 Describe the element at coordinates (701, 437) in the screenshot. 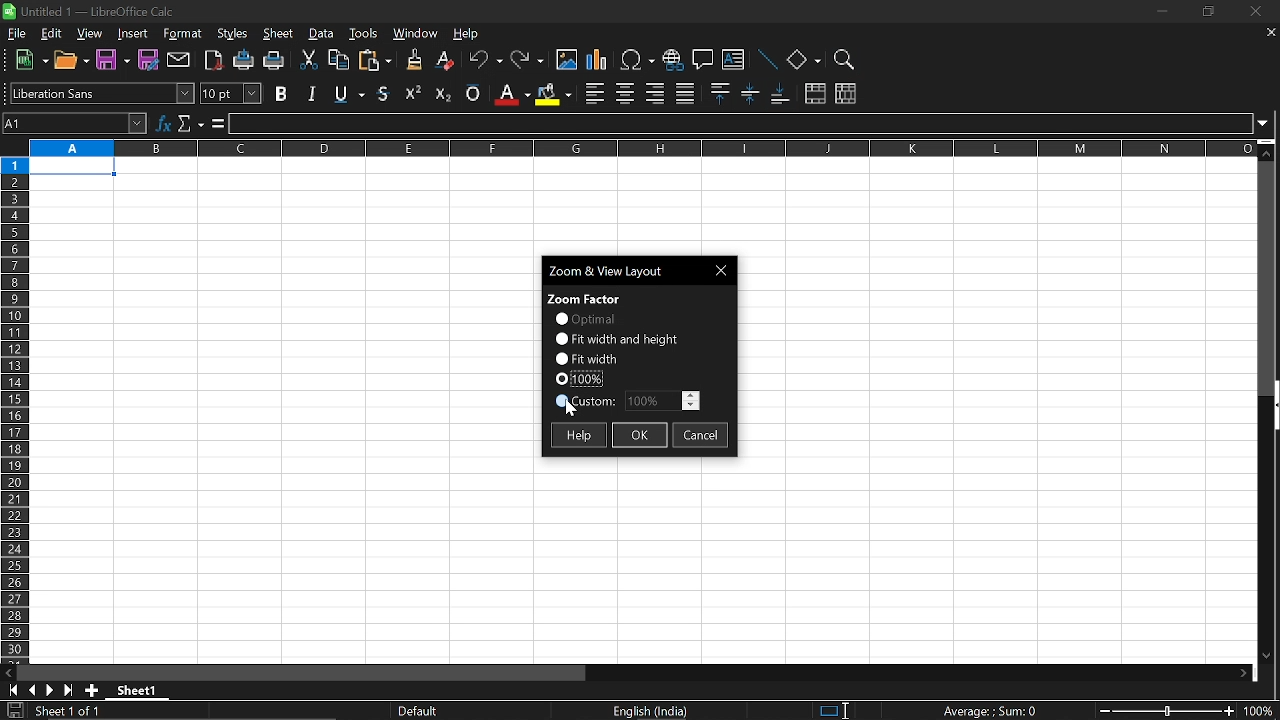

I see `cancel` at that location.